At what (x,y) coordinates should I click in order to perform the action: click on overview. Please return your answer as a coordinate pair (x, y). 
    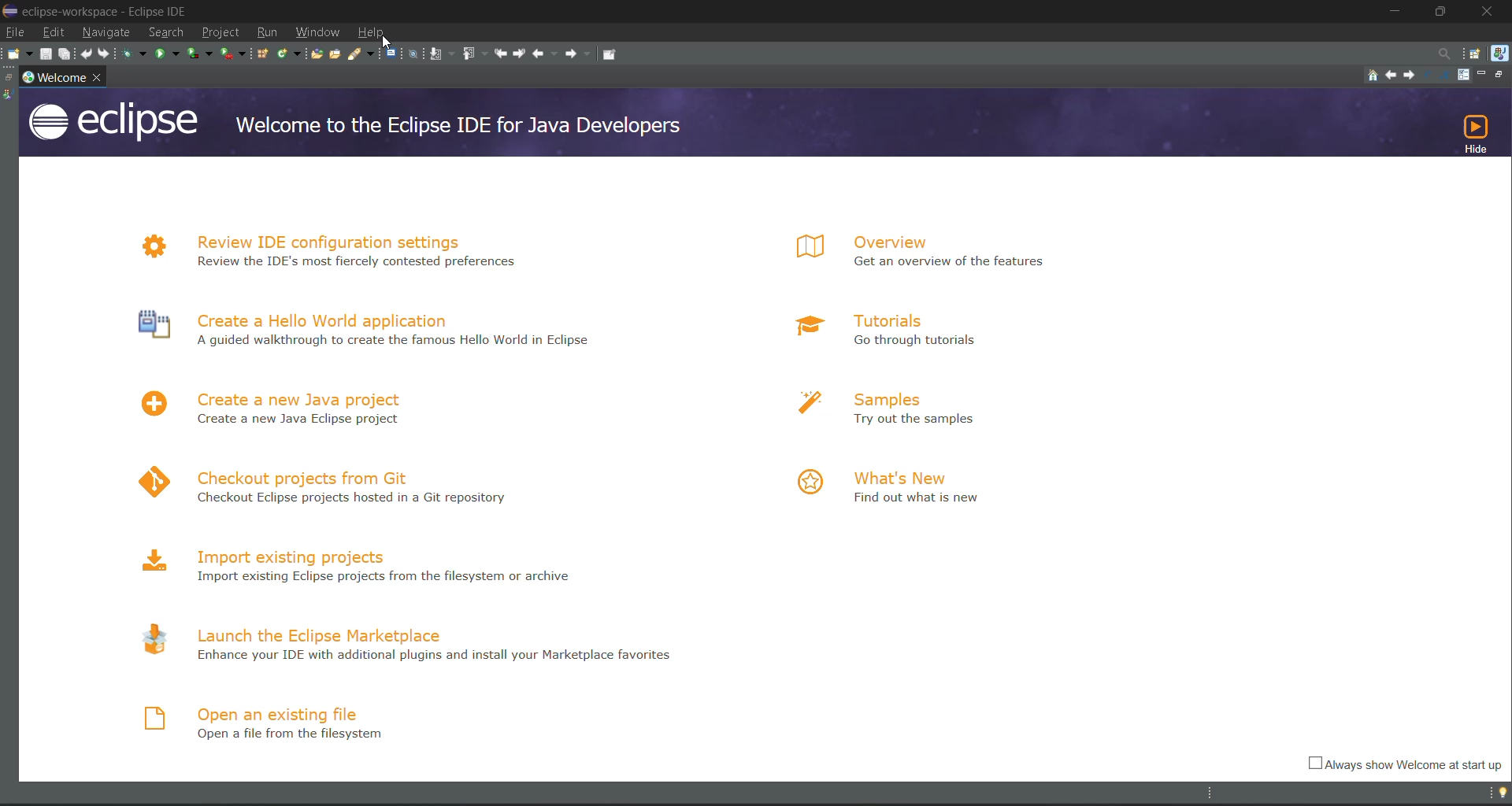
    Looking at the image, I should click on (932, 237).